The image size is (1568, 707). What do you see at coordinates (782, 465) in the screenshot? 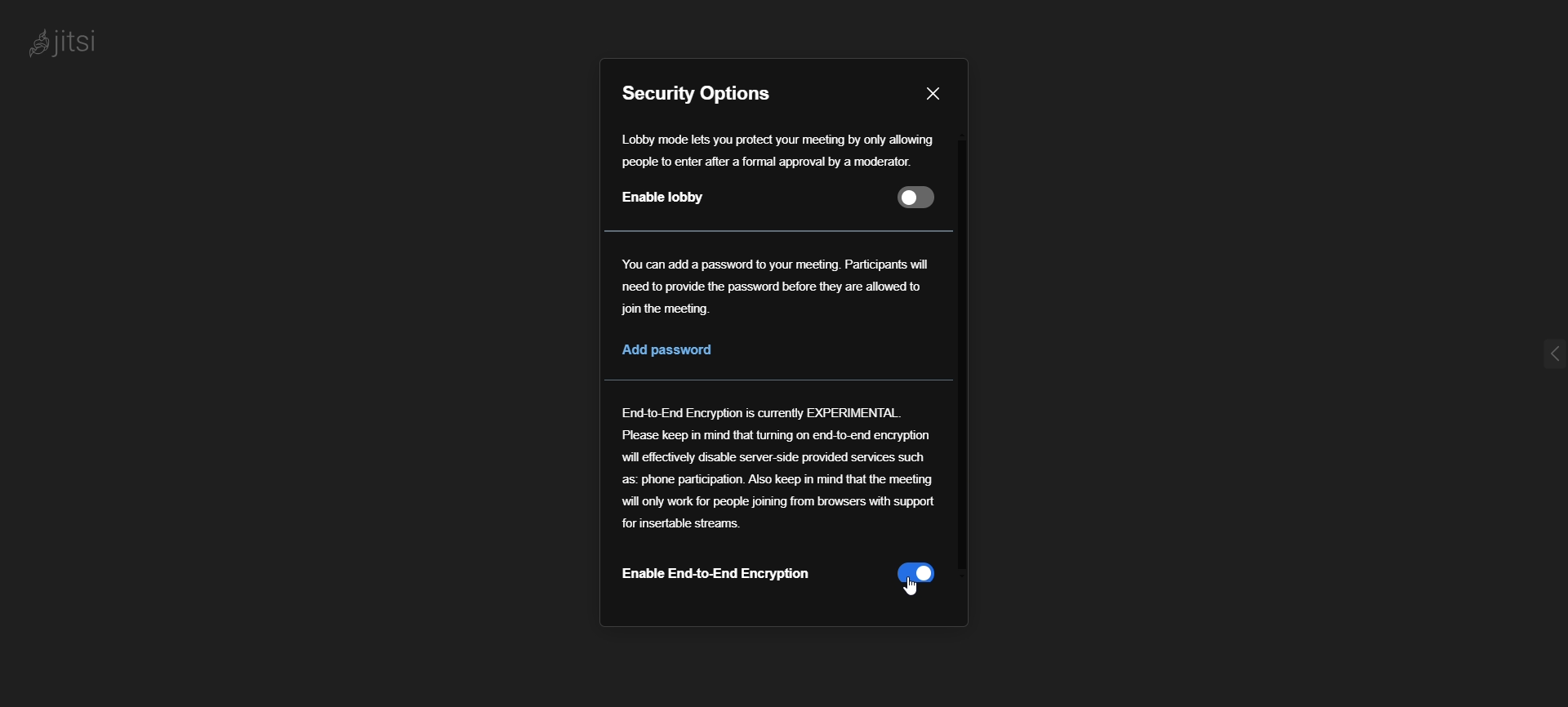
I see `End-to-End Encryption is currently EXPERIMENTAL.
Please keep in mind that tuning on end-to-end encryption
wil effectively disable server-side provided services such
as: phone participation. Also keep in mind that the meeting
will only work for people joining from browsers with support
for insertable streams.` at bounding box center [782, 465].